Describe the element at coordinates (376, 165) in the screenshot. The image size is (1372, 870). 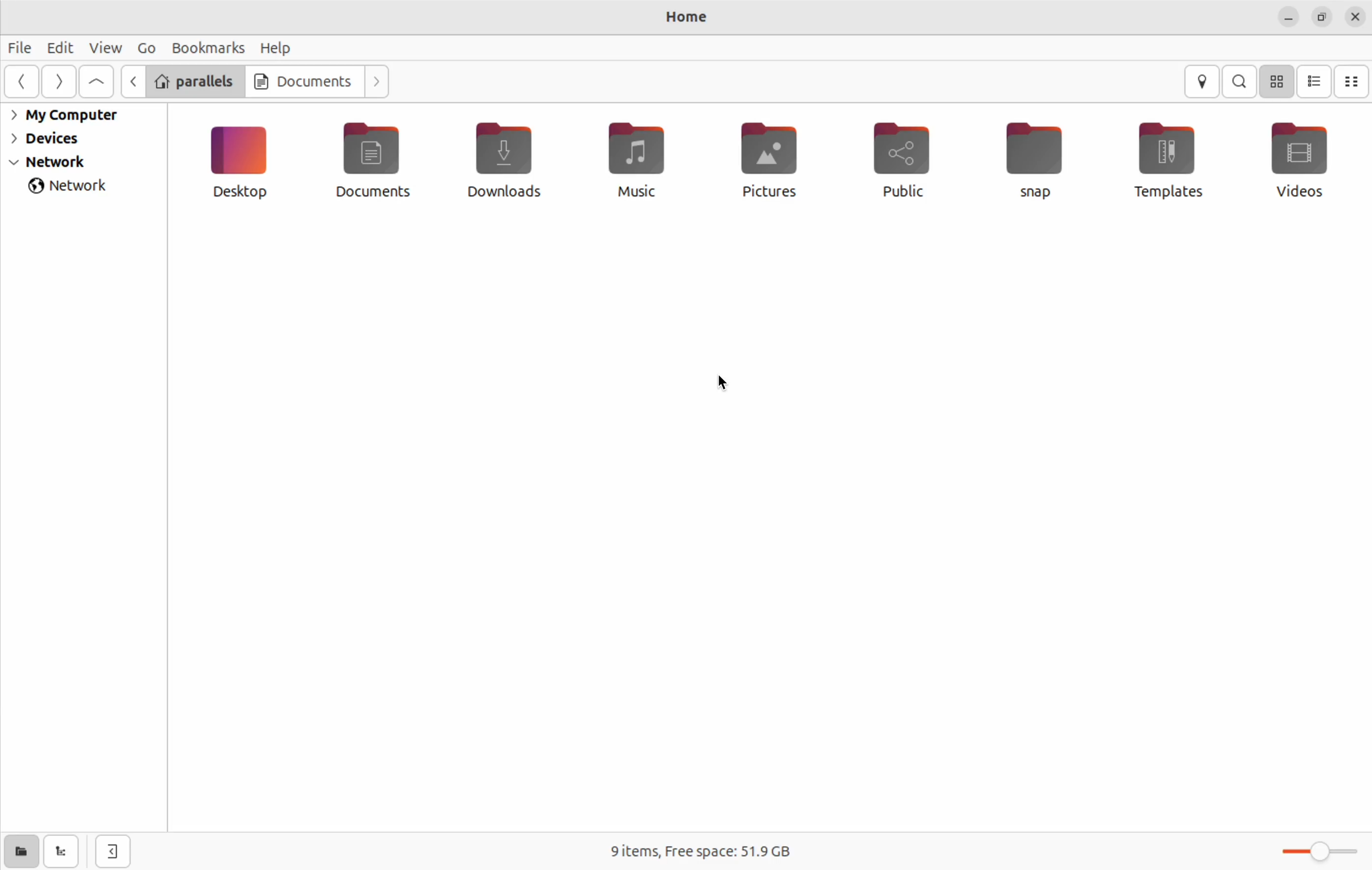
I see `Documents` at that location.